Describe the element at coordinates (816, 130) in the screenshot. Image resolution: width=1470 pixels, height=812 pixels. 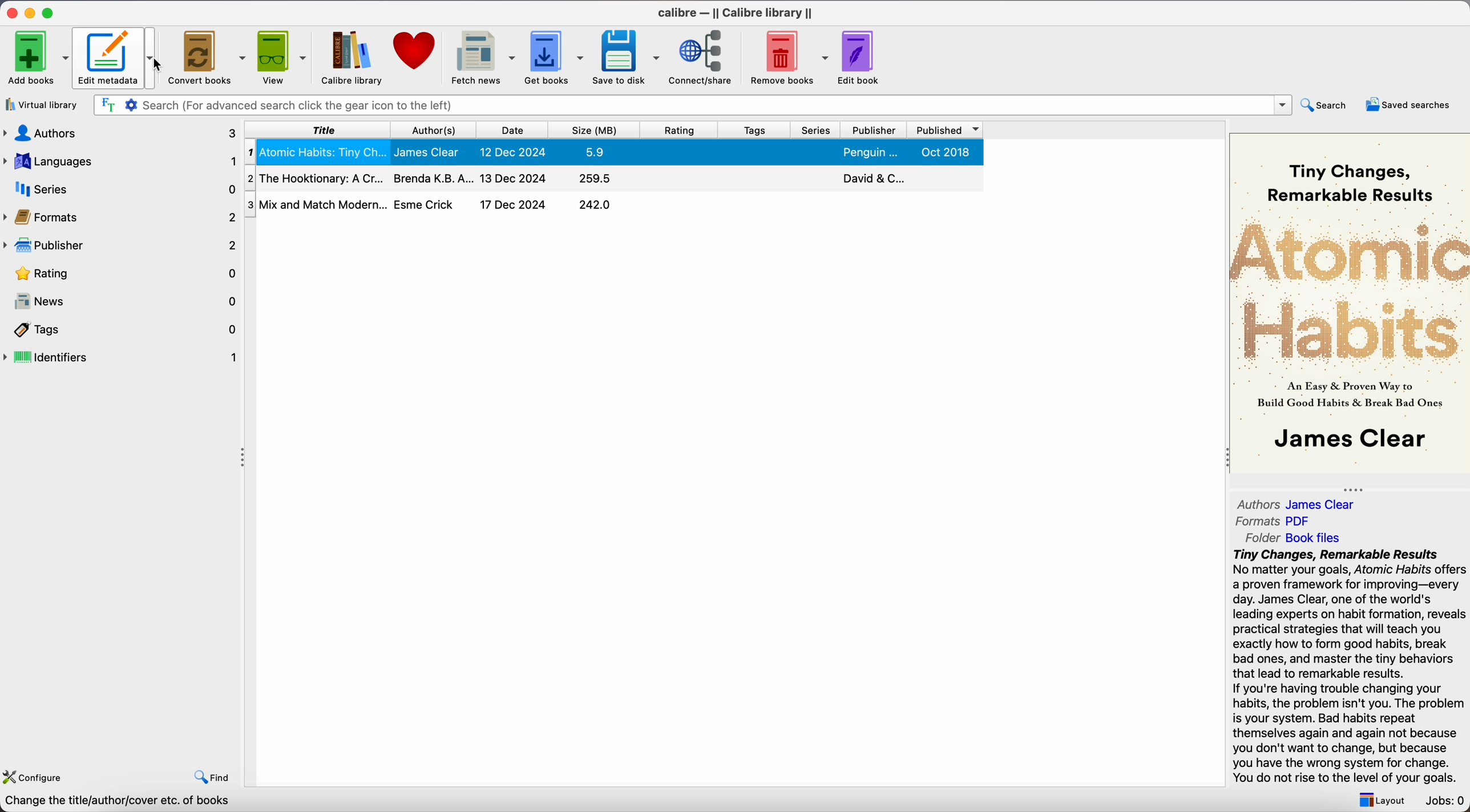
I see `series` at that location.